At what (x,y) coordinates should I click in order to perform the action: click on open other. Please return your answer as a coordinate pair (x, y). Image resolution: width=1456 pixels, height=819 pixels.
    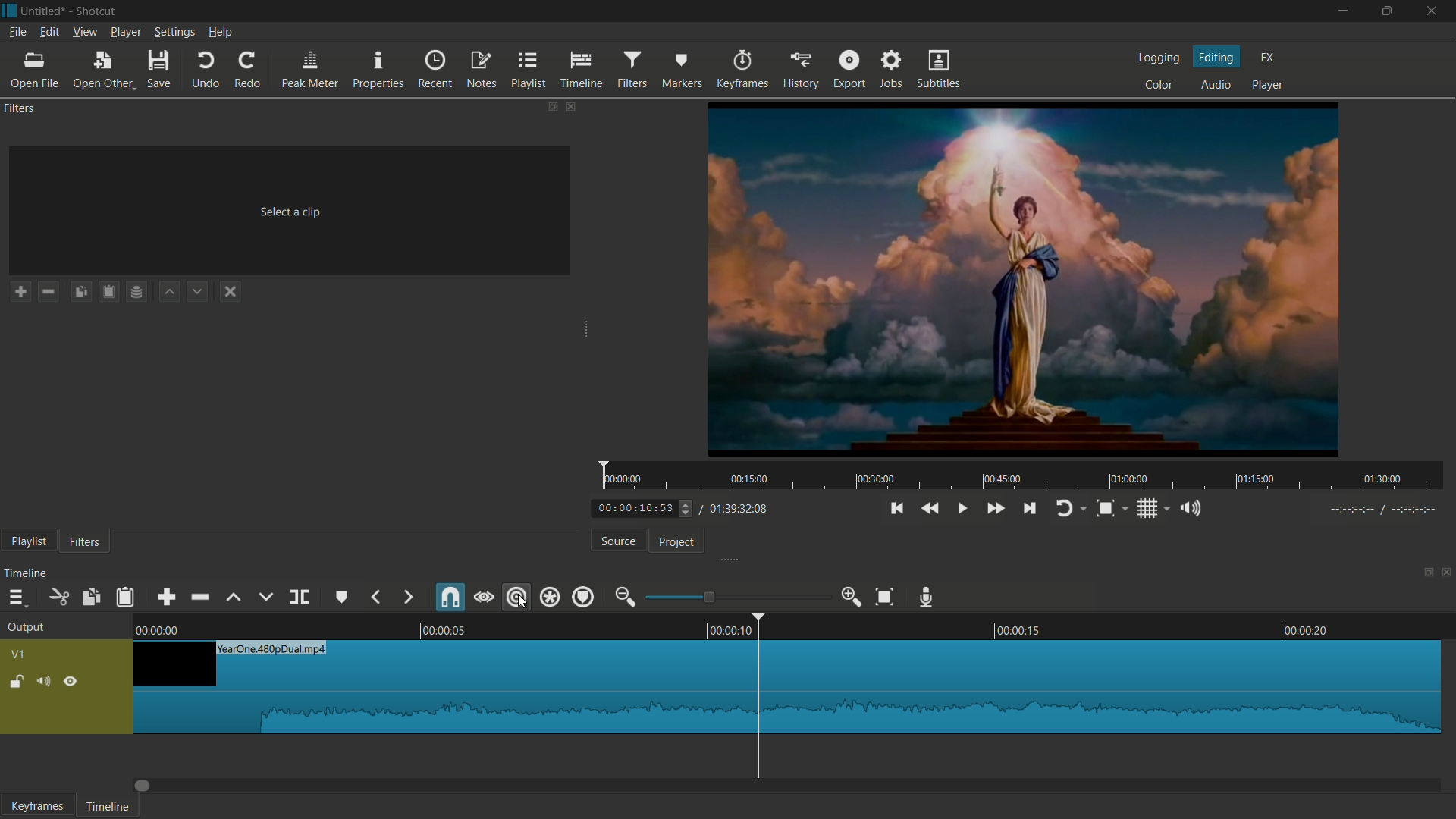
    Looking at the image, I should click on (101, 70).